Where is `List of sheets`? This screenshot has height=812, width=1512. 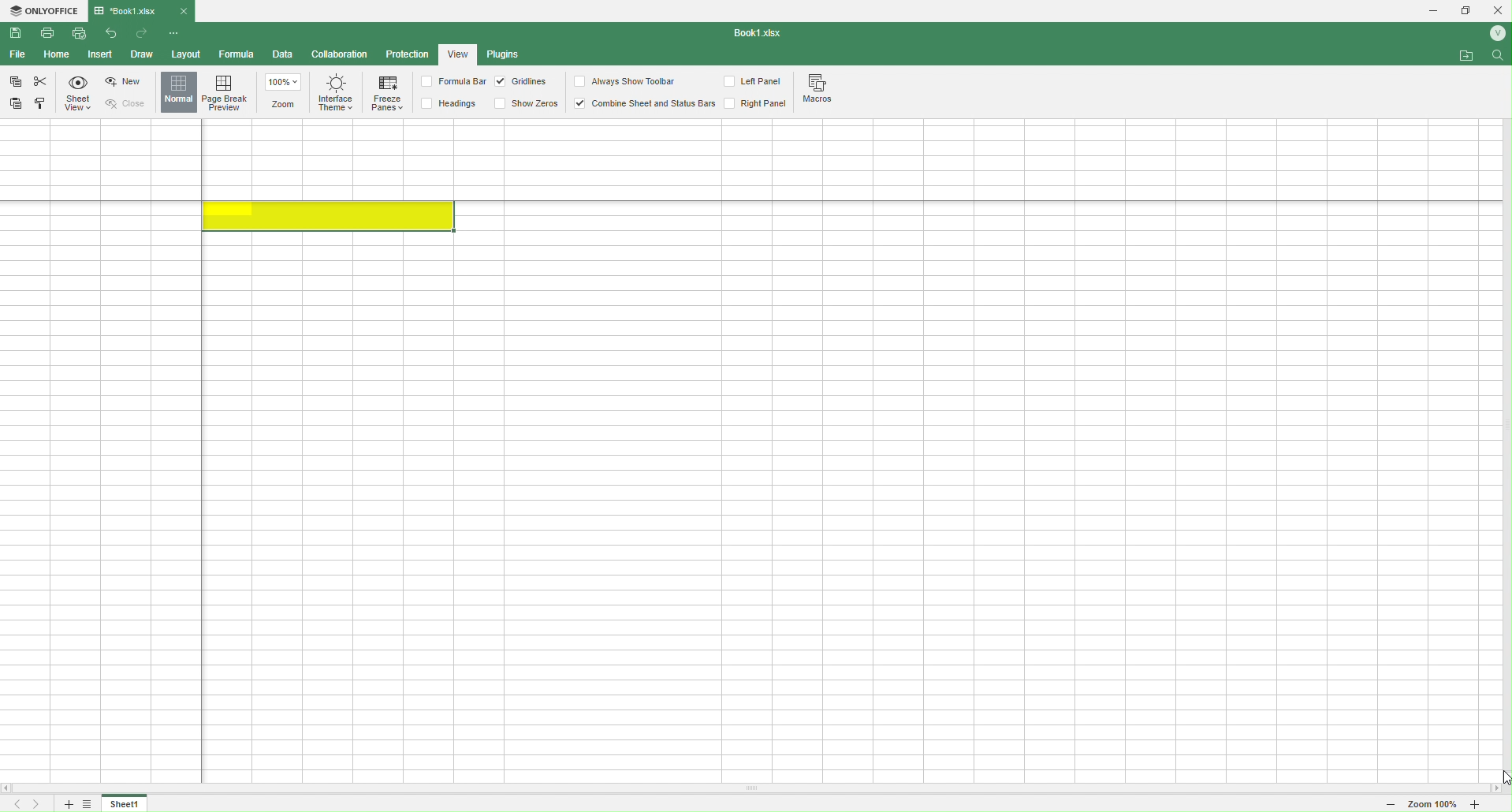 List of sheets is located at coordinates (91, 804).